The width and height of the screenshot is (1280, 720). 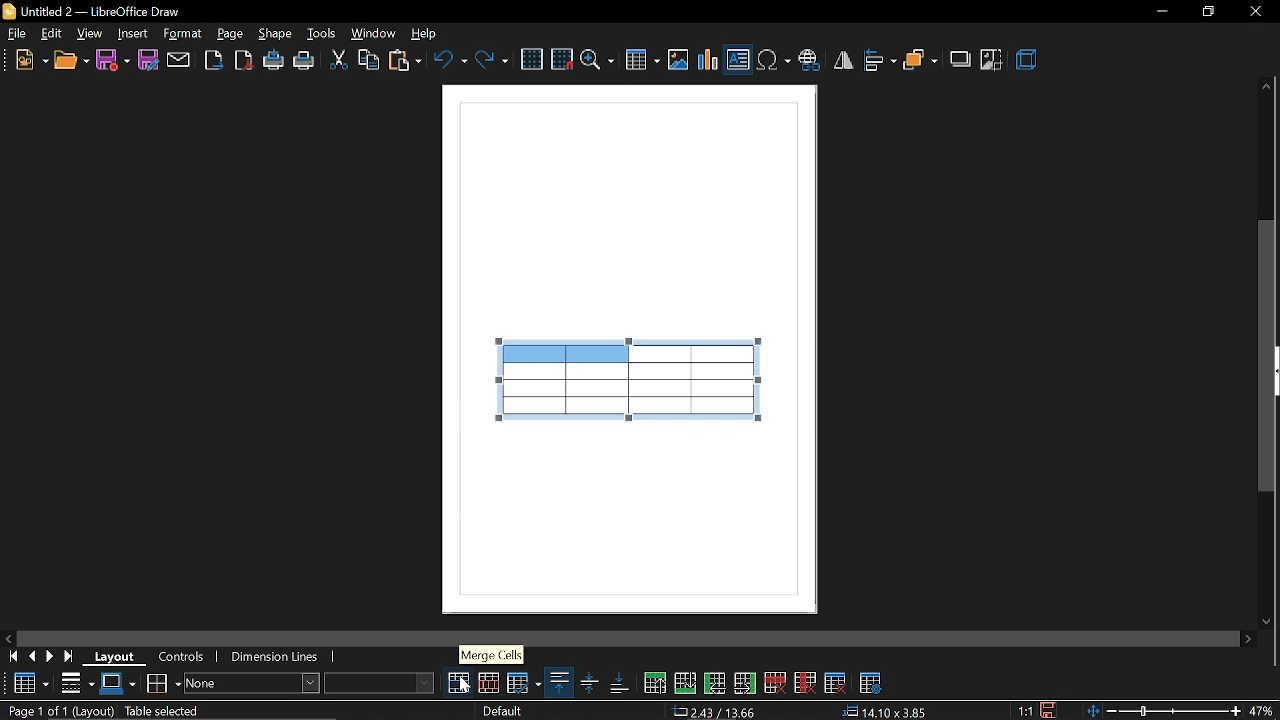 What do you see at coordinates (71, 60) in the screenshot?
I see `open` at bounding box center [71, 60].